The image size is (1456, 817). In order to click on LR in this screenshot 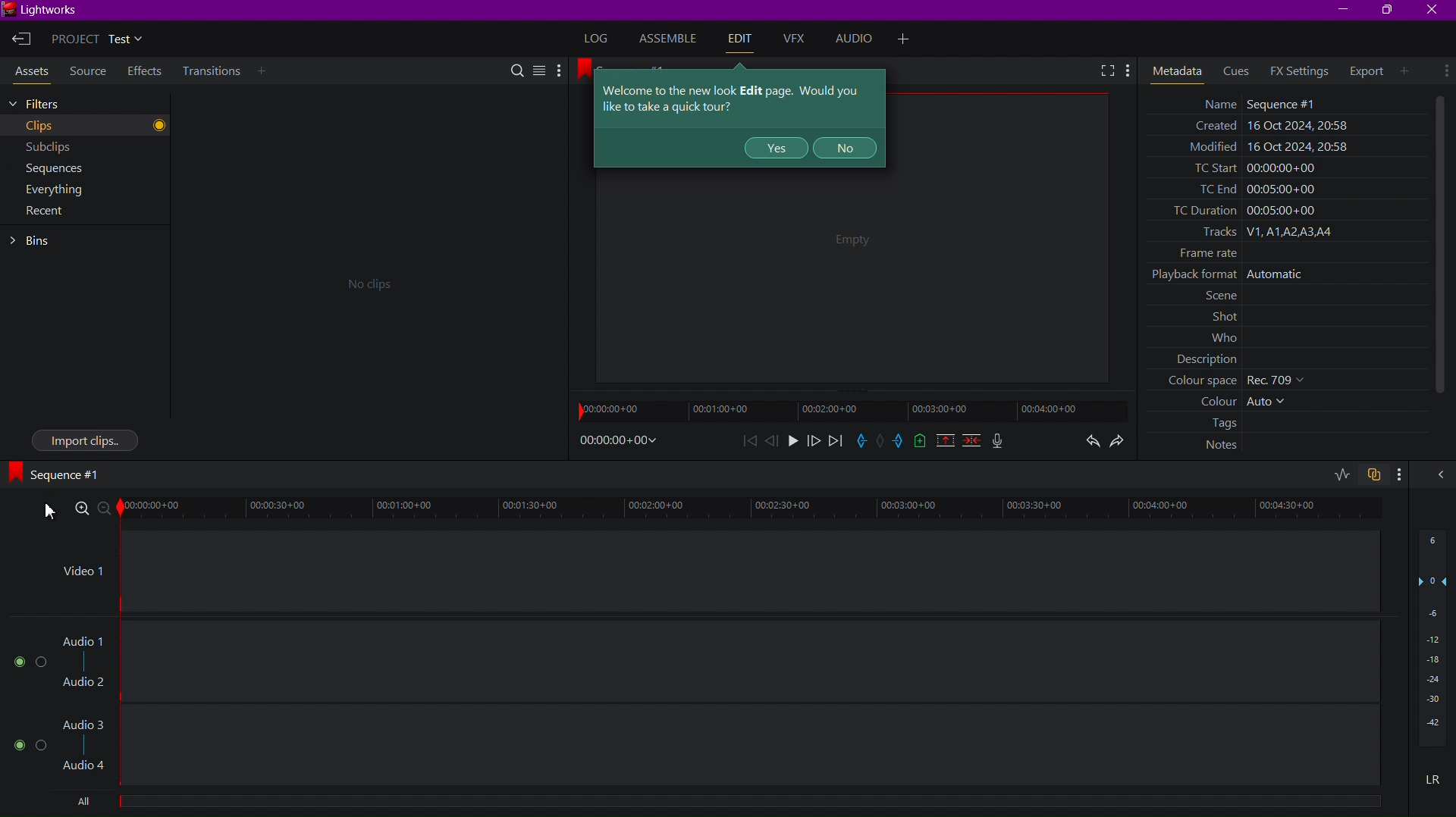, I will do `click(1434, 779)`.